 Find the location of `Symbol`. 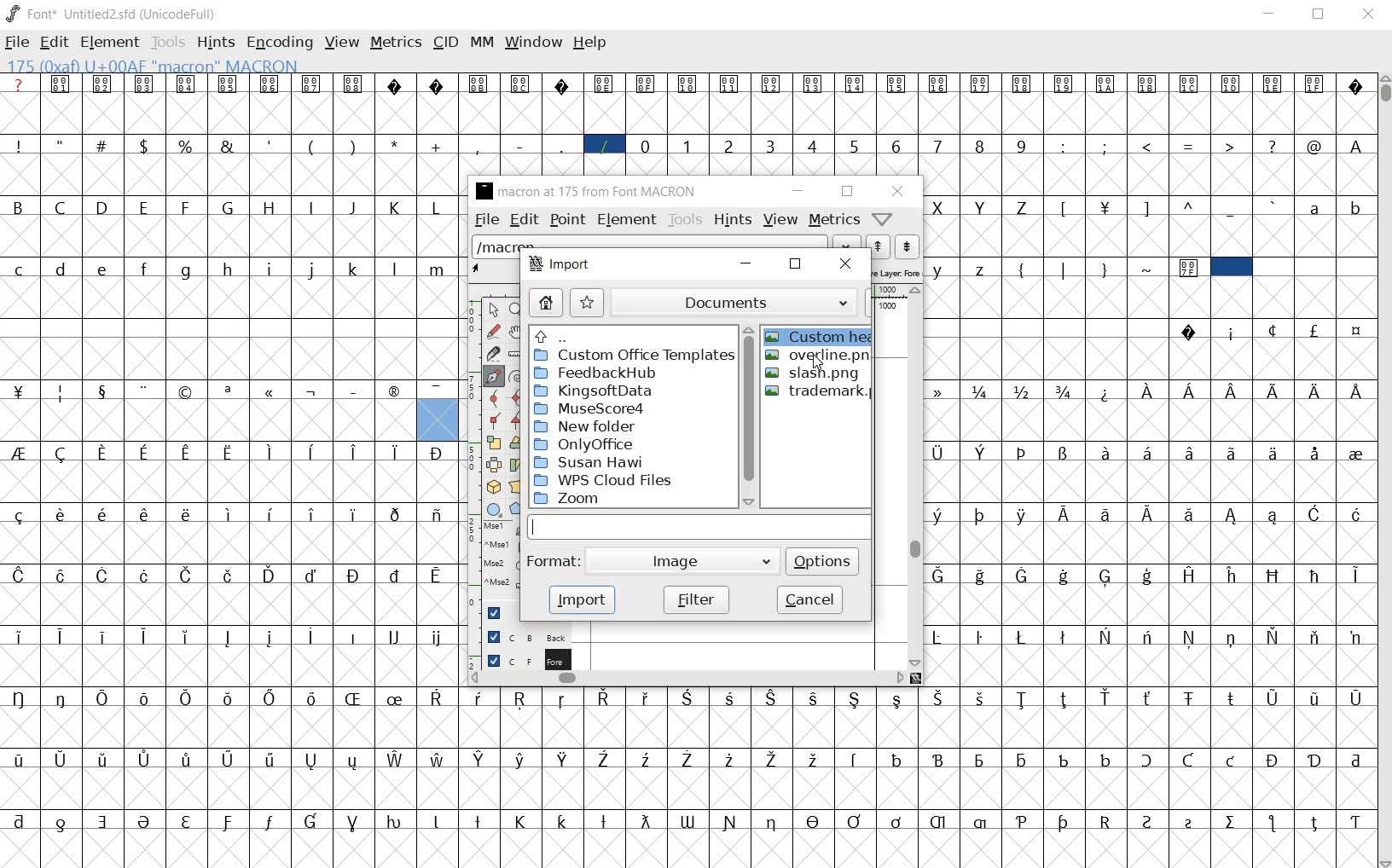

Symbol is located at coordinates (1189, 821).